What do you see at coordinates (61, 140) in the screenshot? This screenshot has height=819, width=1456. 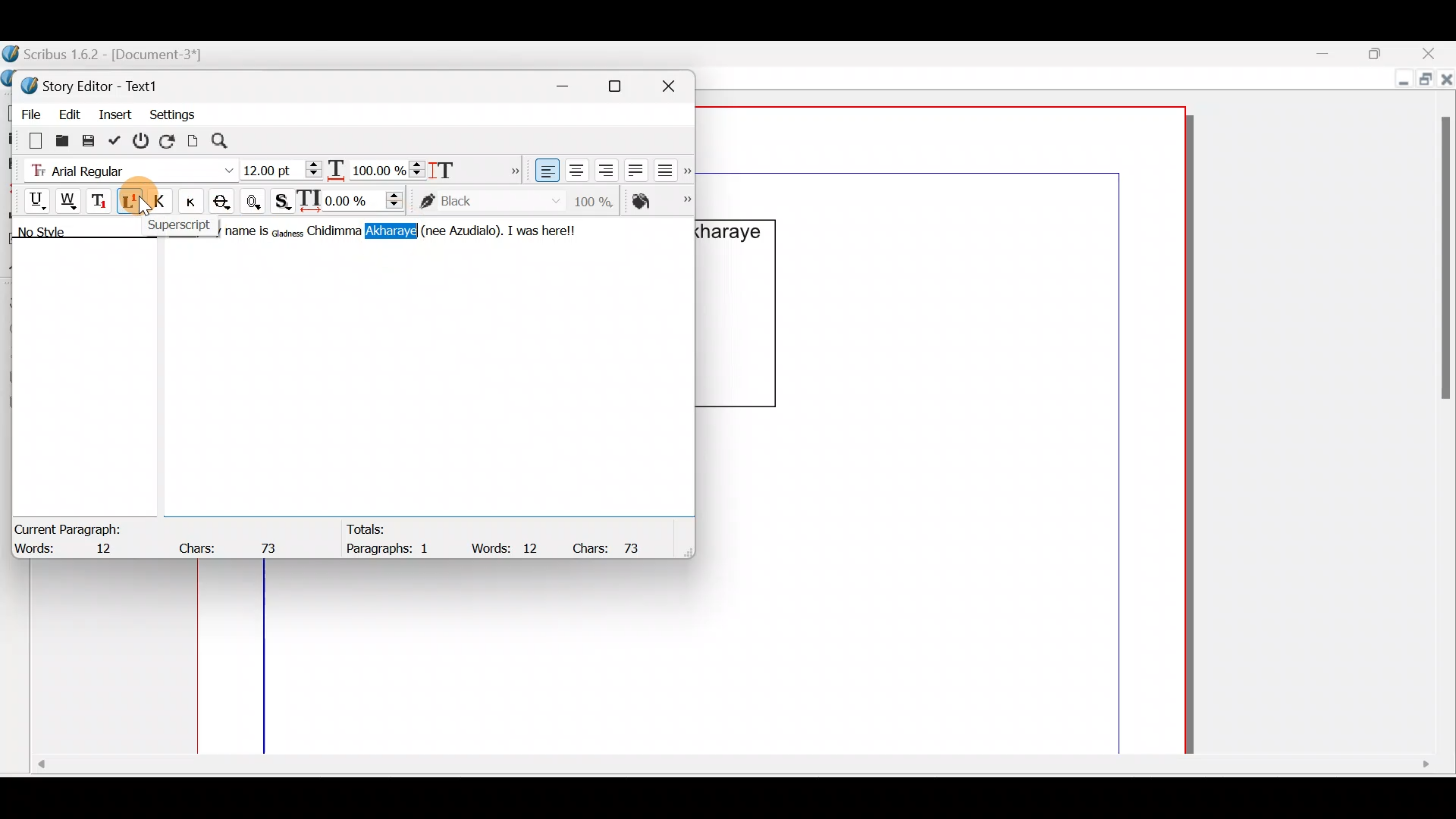 I see `Load from file` at bounding box center [61, 140].